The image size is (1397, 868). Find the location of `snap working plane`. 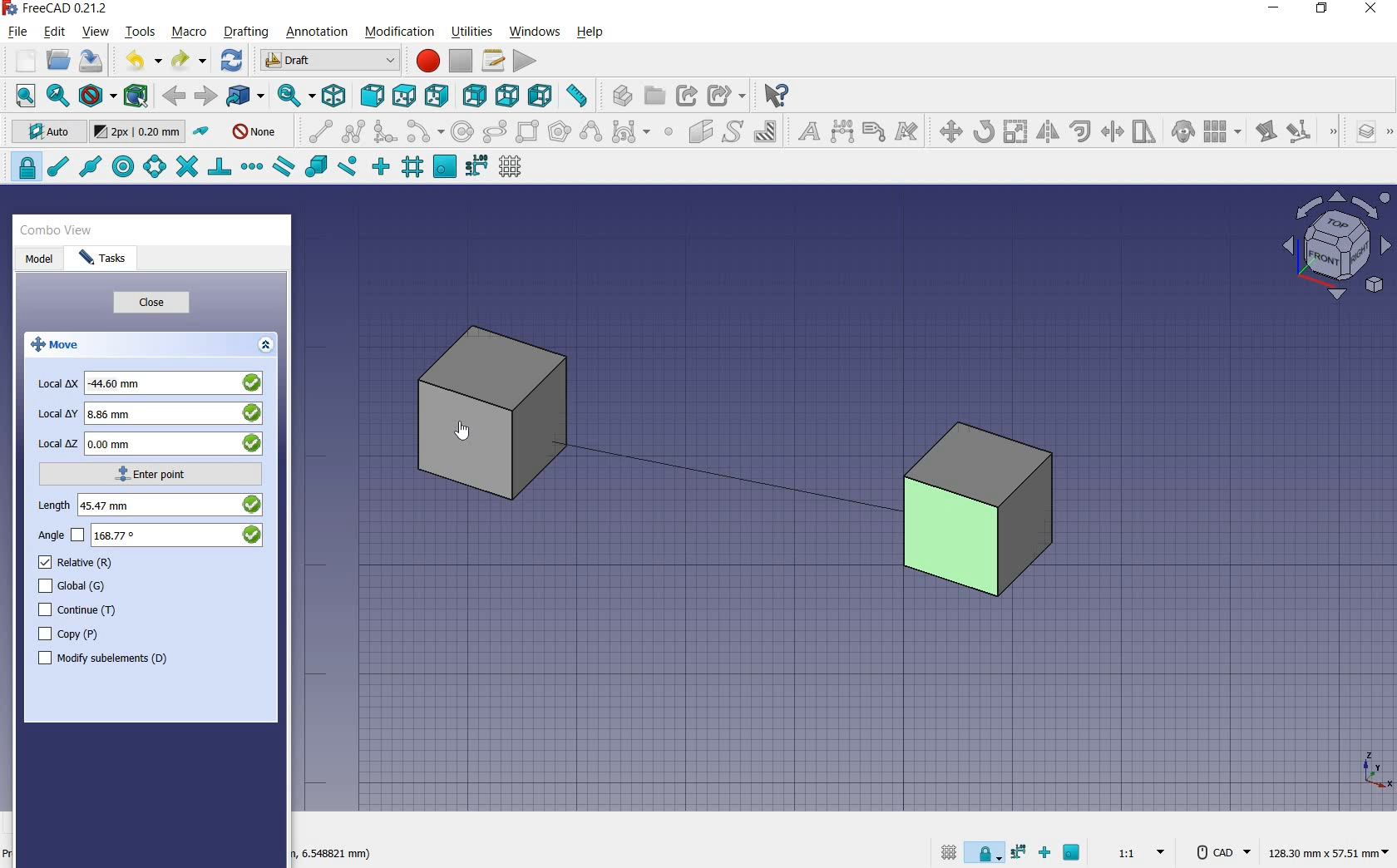

snap working plane is located at coordinates (446, 167).